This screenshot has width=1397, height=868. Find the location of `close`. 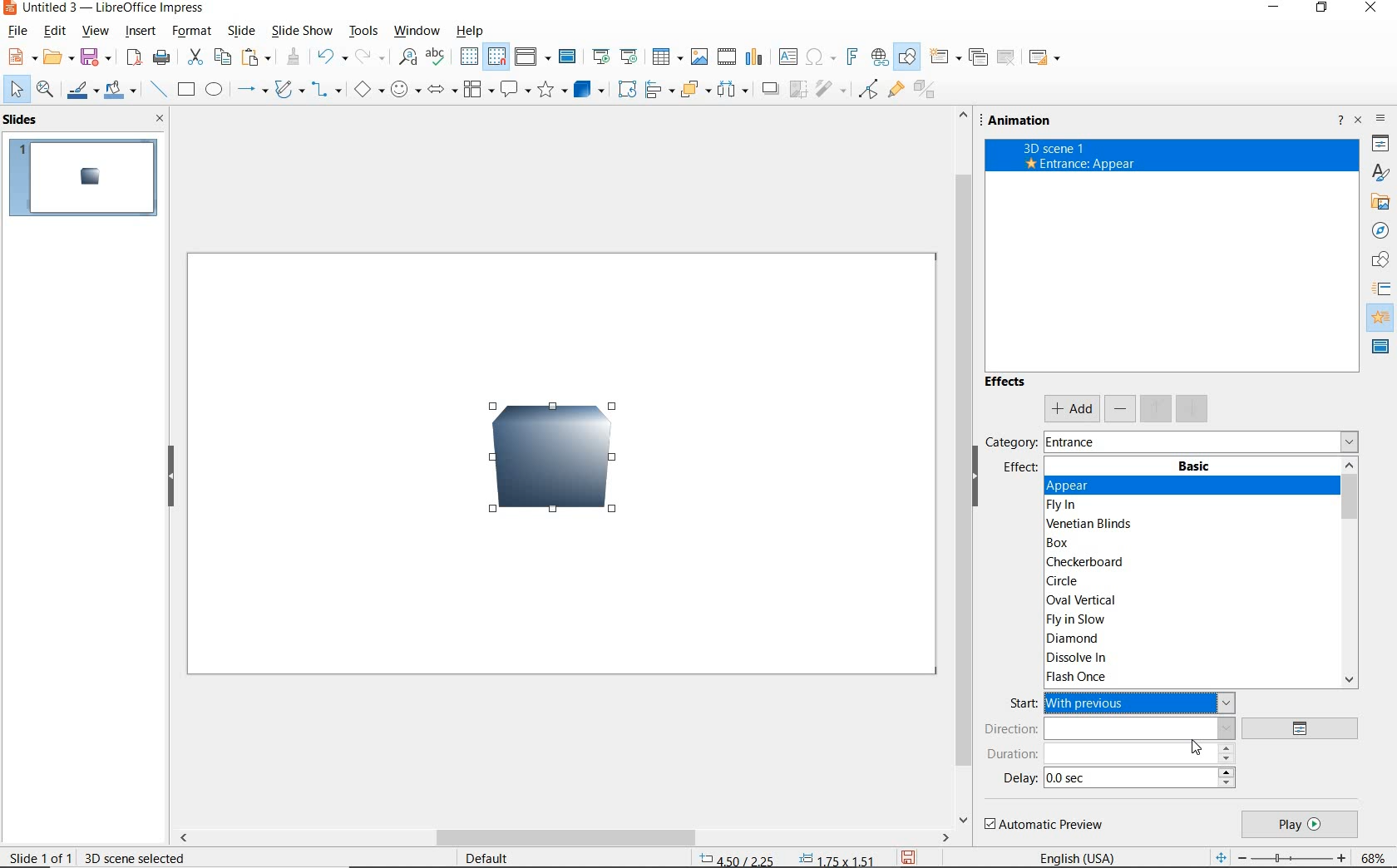

close is located at coordinates (160, 119).